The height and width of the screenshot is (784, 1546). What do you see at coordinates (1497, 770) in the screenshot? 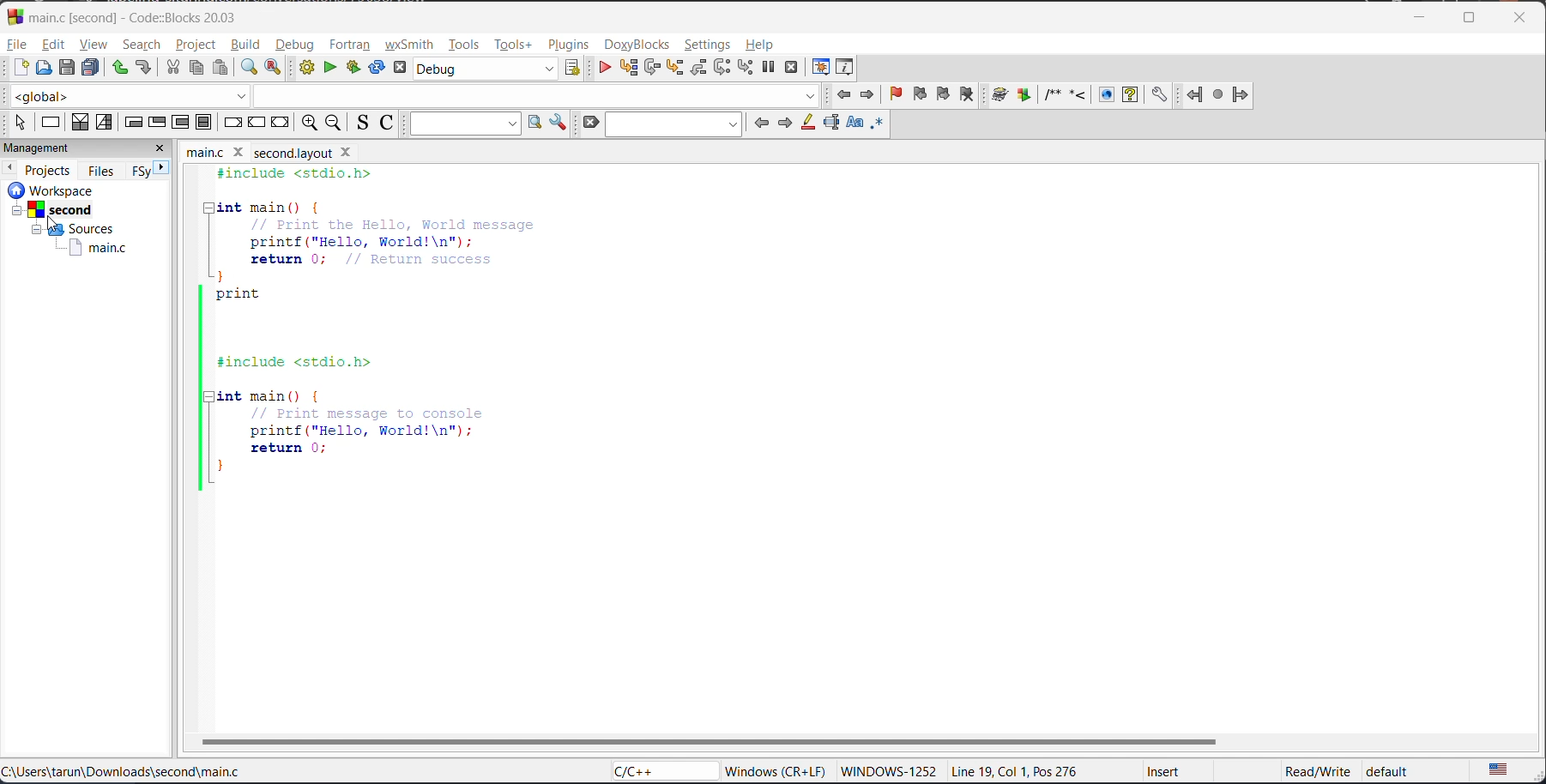
I see `text language` at bounding box center [1497, 770].